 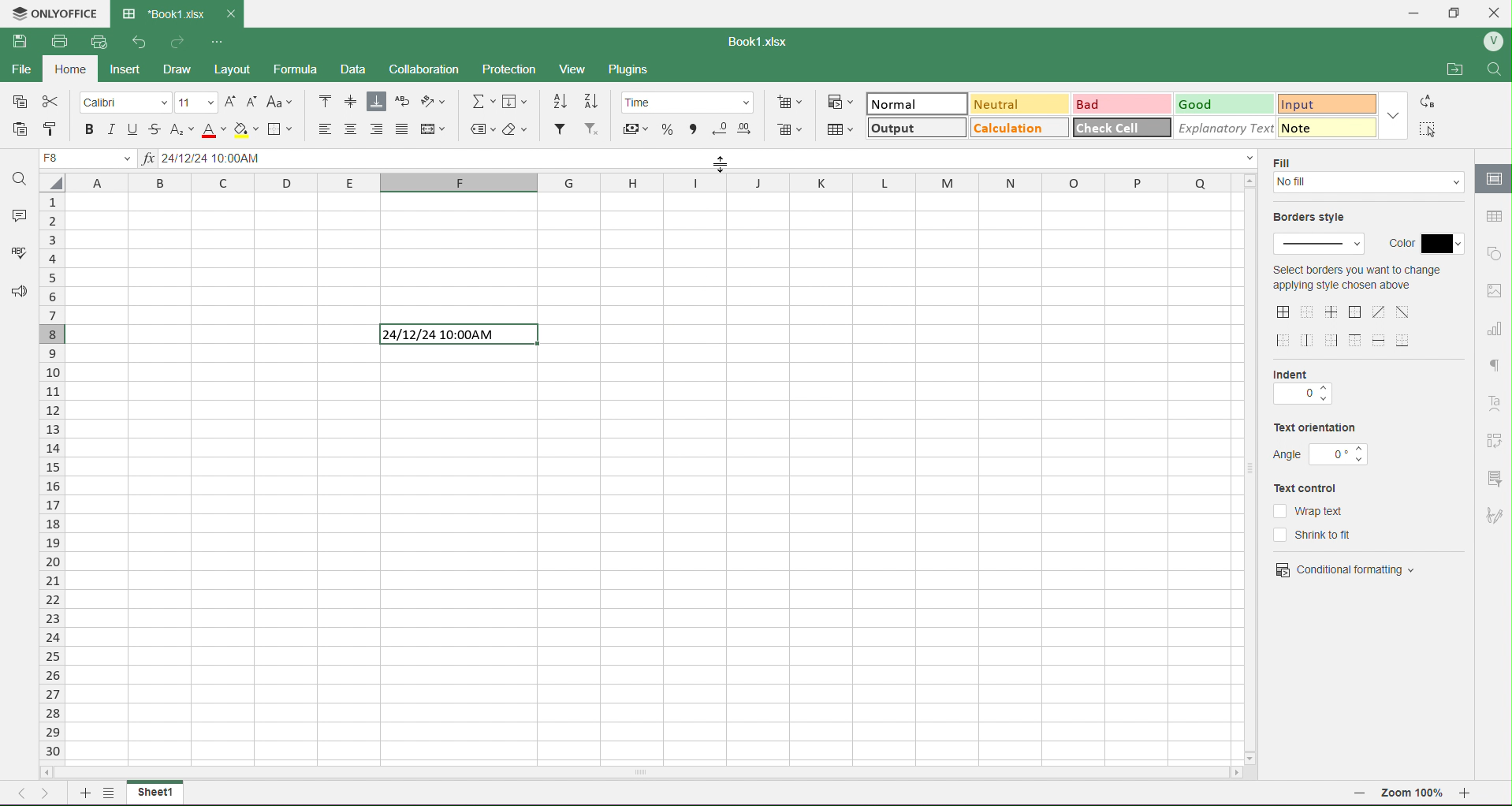 What do you see at coordinates (1204, 103) in the screenshot?
I see `Good` at bounding box center [1204, 103].